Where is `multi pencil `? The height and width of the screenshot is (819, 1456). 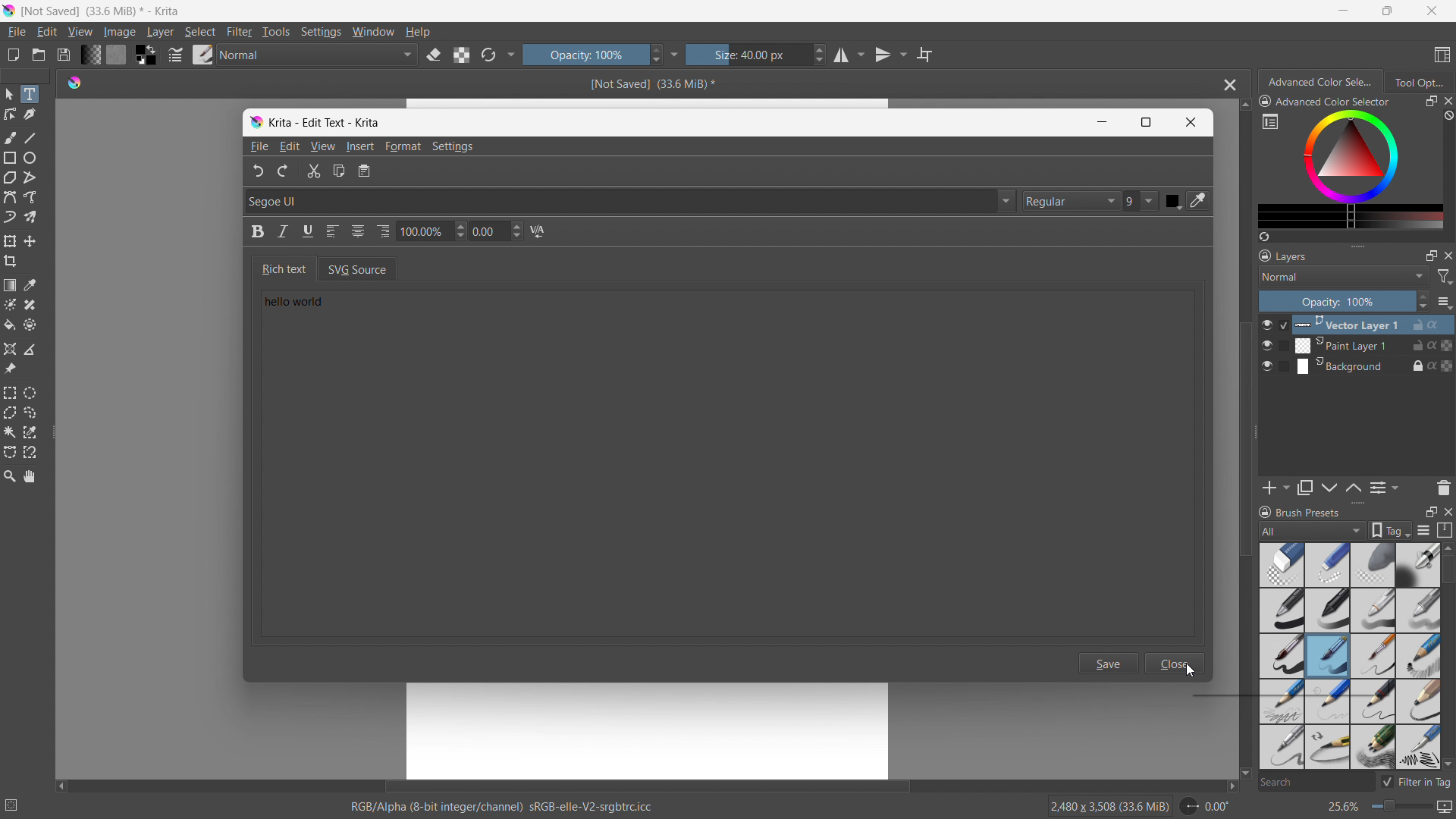 multi pencil  is located at coordinates (1374, 748).